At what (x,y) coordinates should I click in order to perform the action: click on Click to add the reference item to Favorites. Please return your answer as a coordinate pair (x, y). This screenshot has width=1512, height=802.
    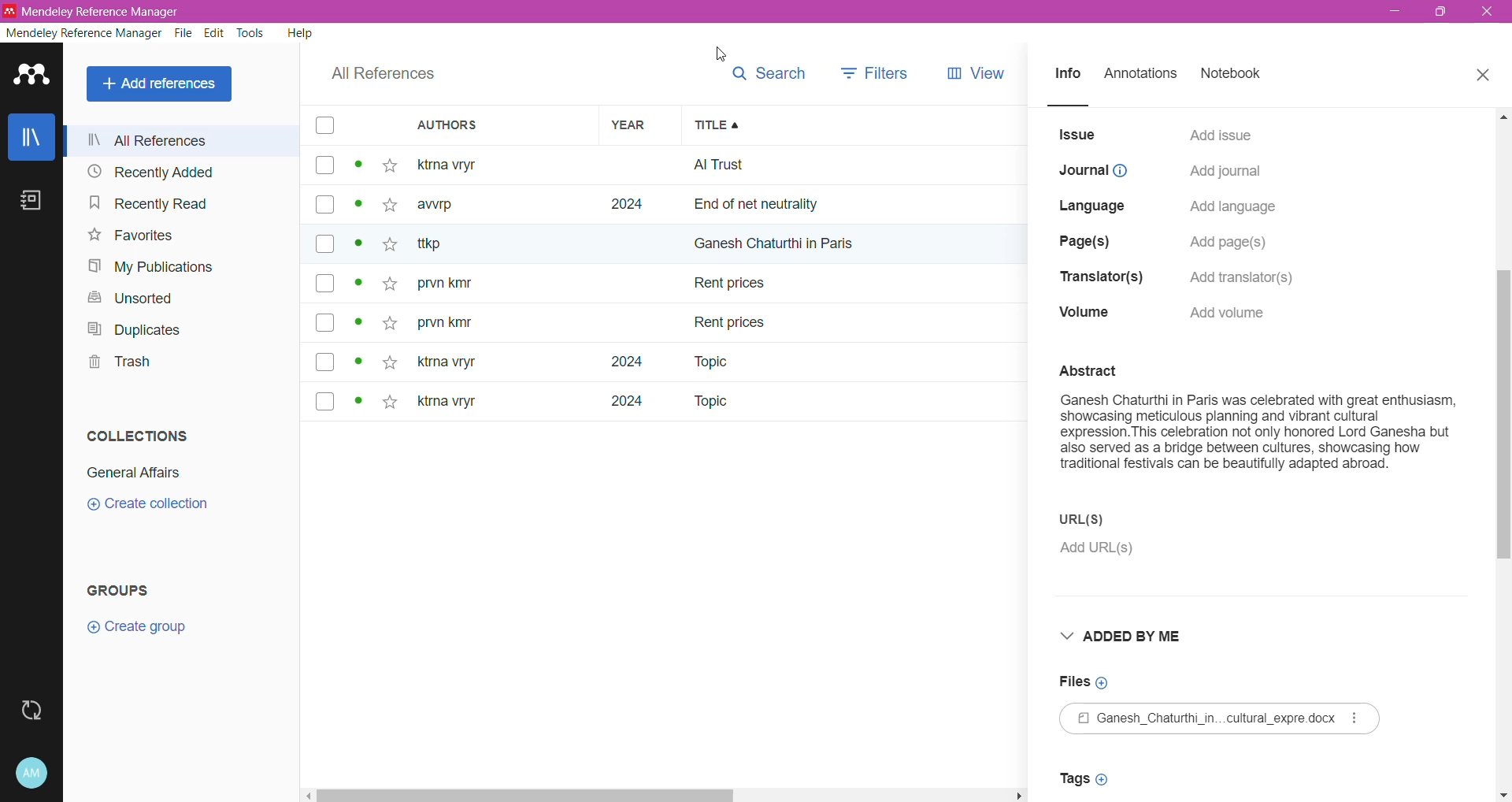
    Looking at the image, I should click on (394, 284).